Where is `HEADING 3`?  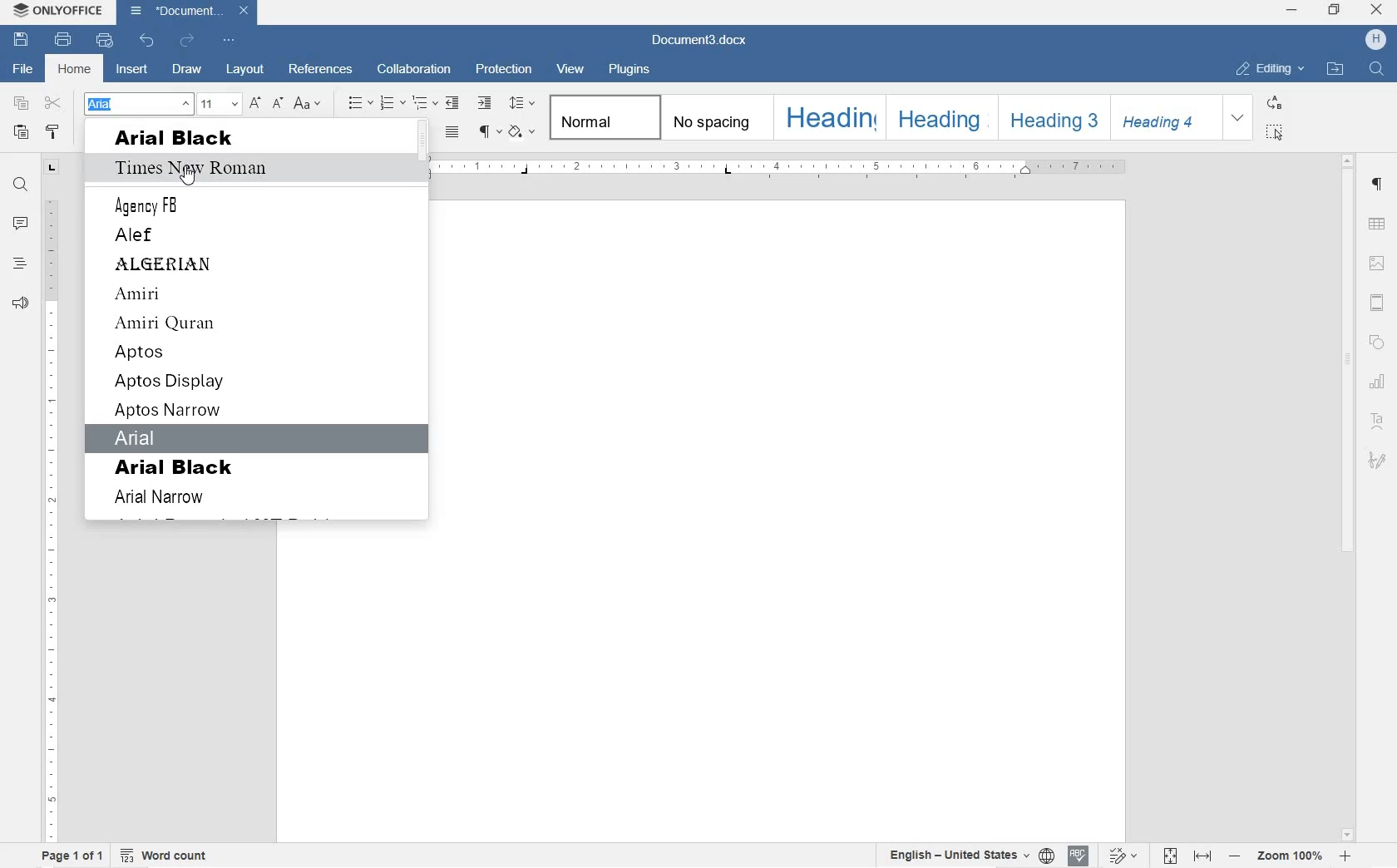
HEADING 3 is located at coordinates (1049, 118).